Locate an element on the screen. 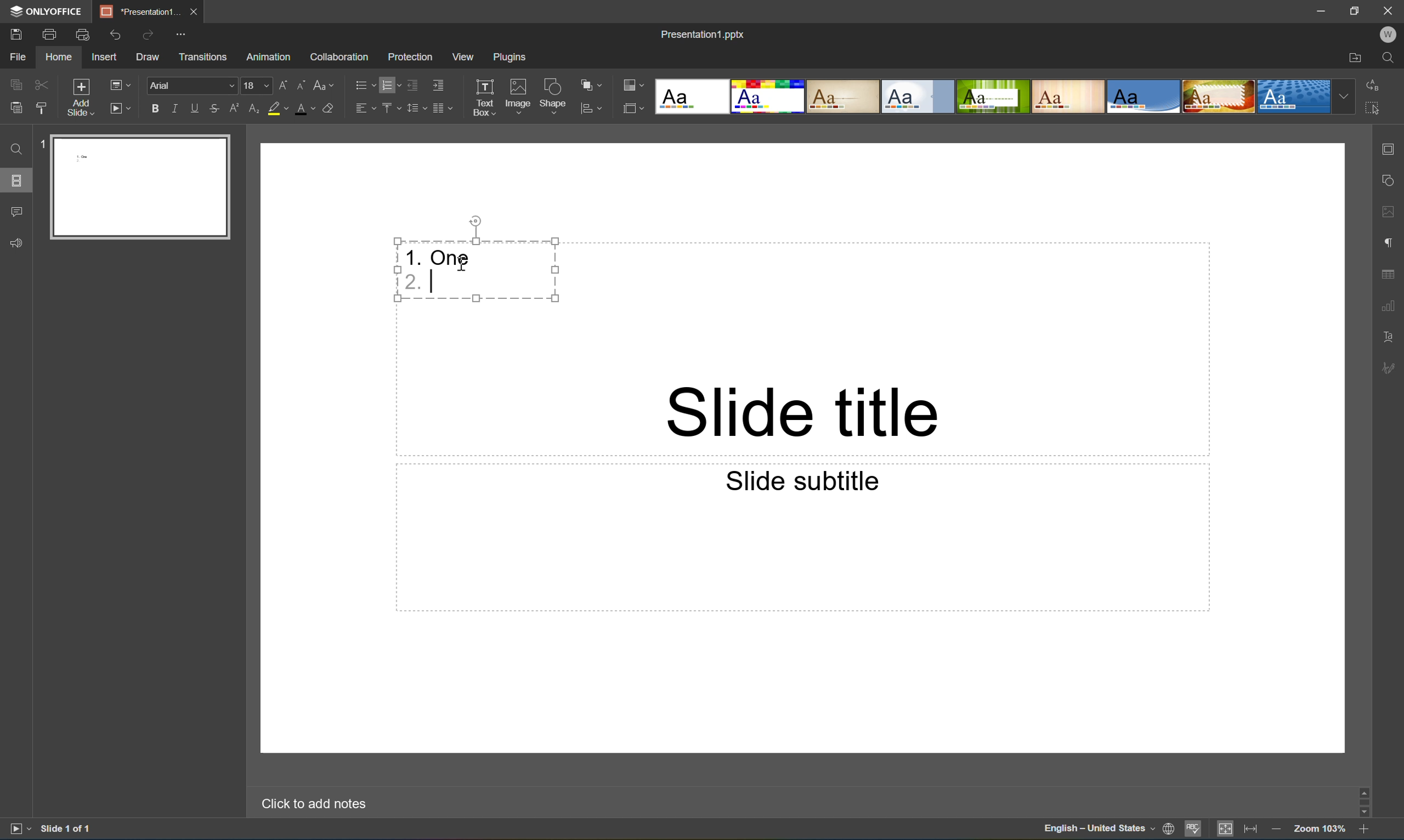  Shape is located at coordinates (555, 97).